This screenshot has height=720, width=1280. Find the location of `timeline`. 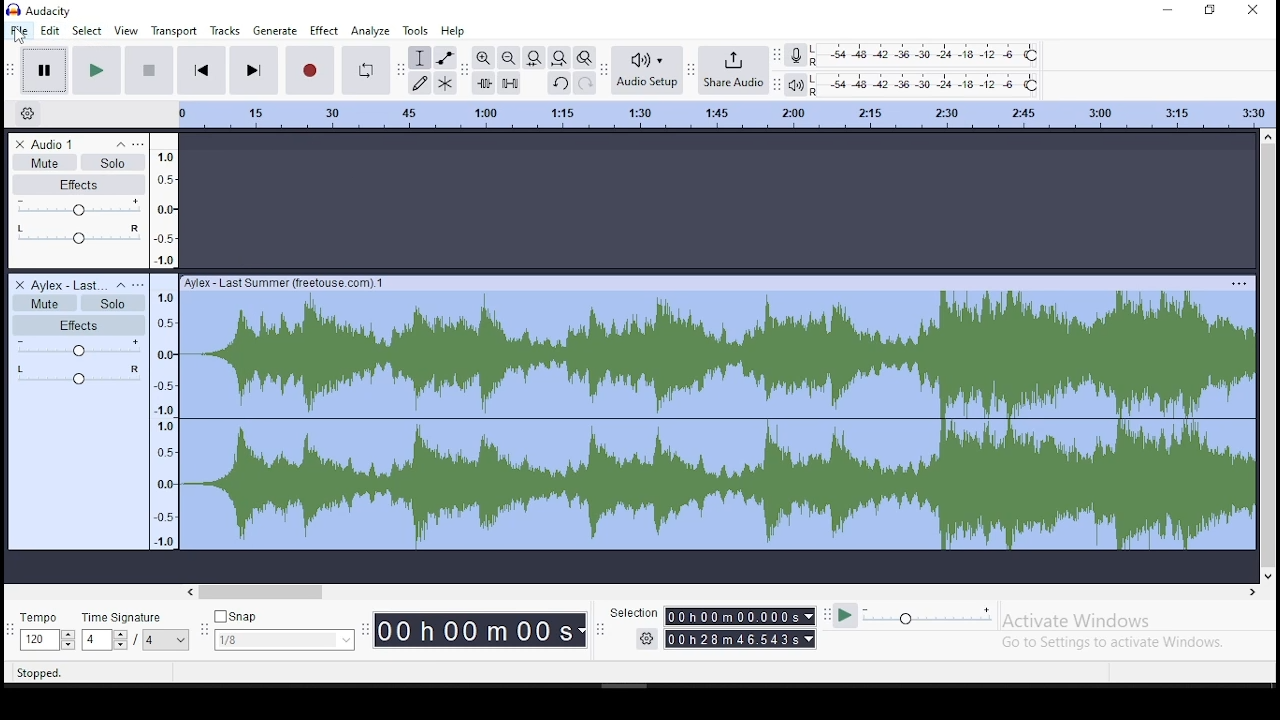

timeline is located at coordinates (726, 113).